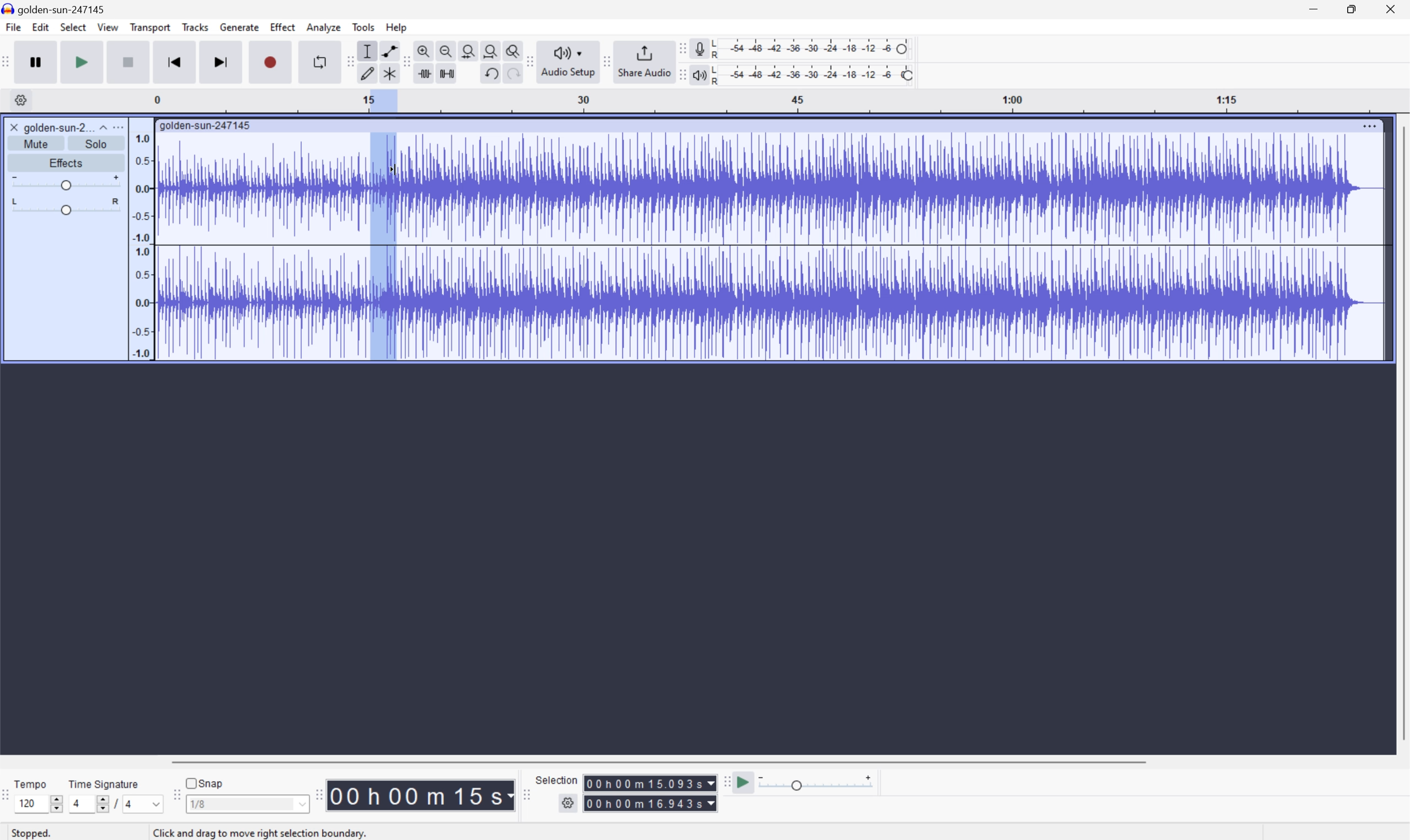  Describe the element at coordinates (272, 62) in the screenshot. I see `Record / Record new track` at that location.